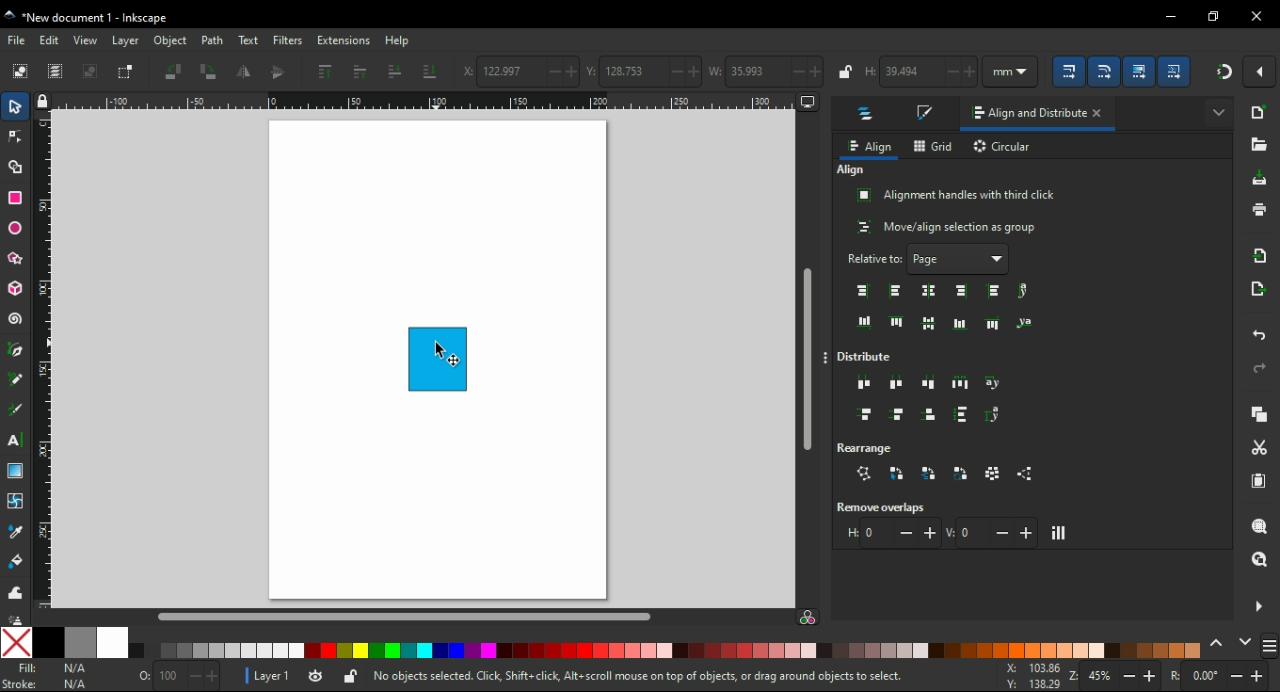 This screenshot has width=1280, height=692. I want to click on 3D box tool, so click(14, 290).